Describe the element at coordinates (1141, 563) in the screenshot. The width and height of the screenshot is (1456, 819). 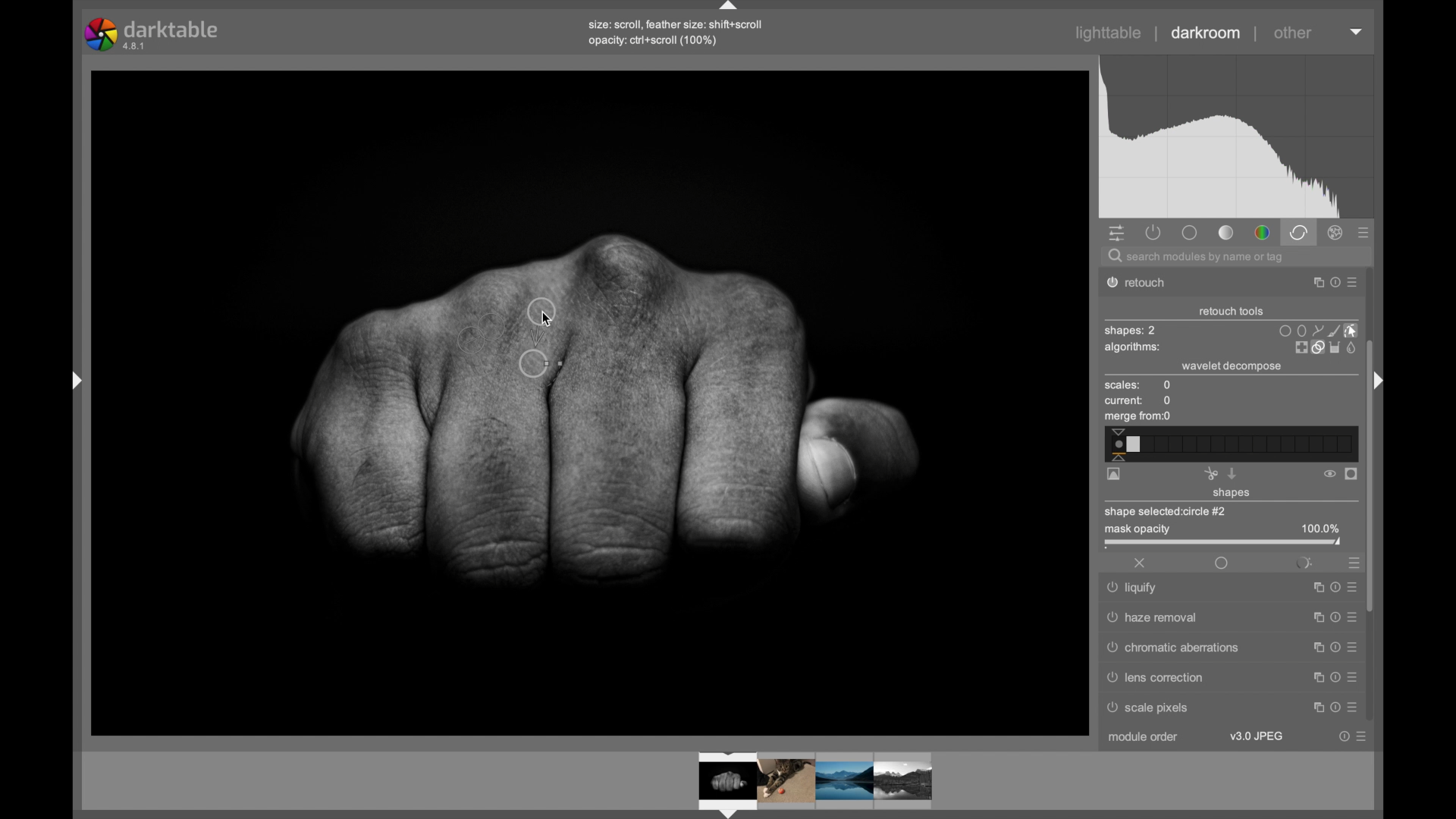
I see `off` at that location.